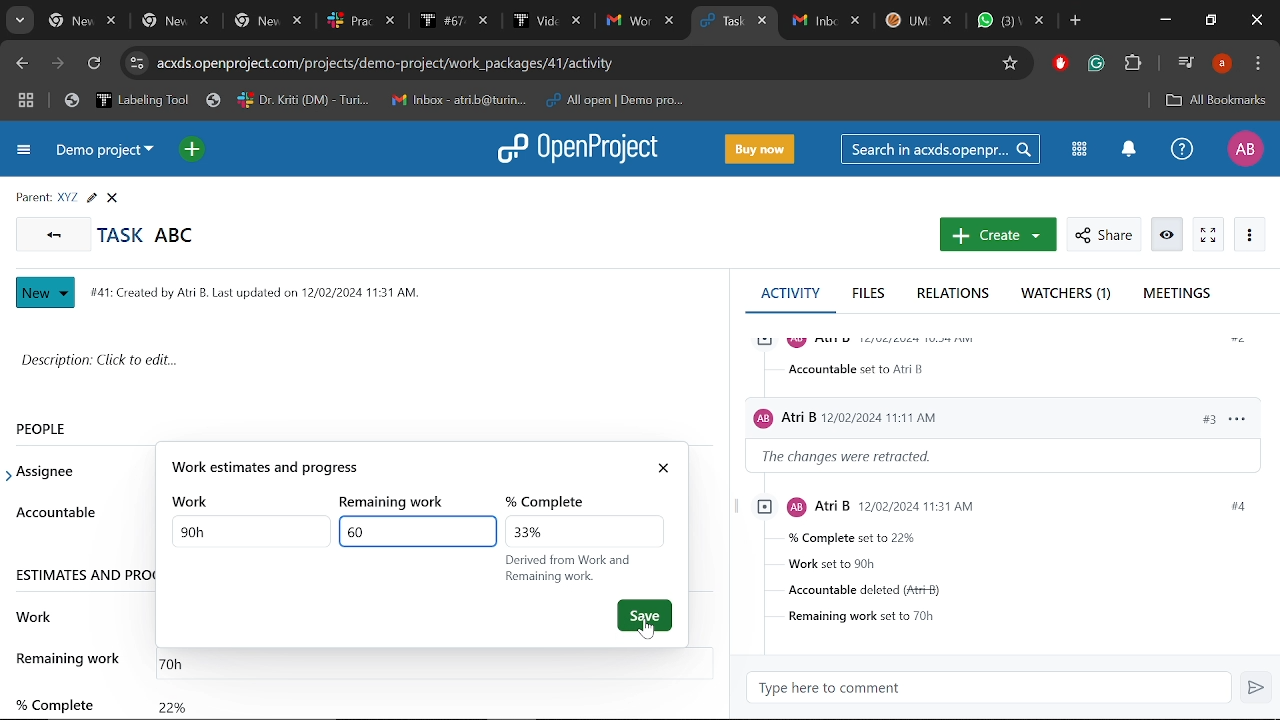  What do you see at coordinates (1254, 21) in the screenshot?
I see `Close` at bounding box center [1254, 21].